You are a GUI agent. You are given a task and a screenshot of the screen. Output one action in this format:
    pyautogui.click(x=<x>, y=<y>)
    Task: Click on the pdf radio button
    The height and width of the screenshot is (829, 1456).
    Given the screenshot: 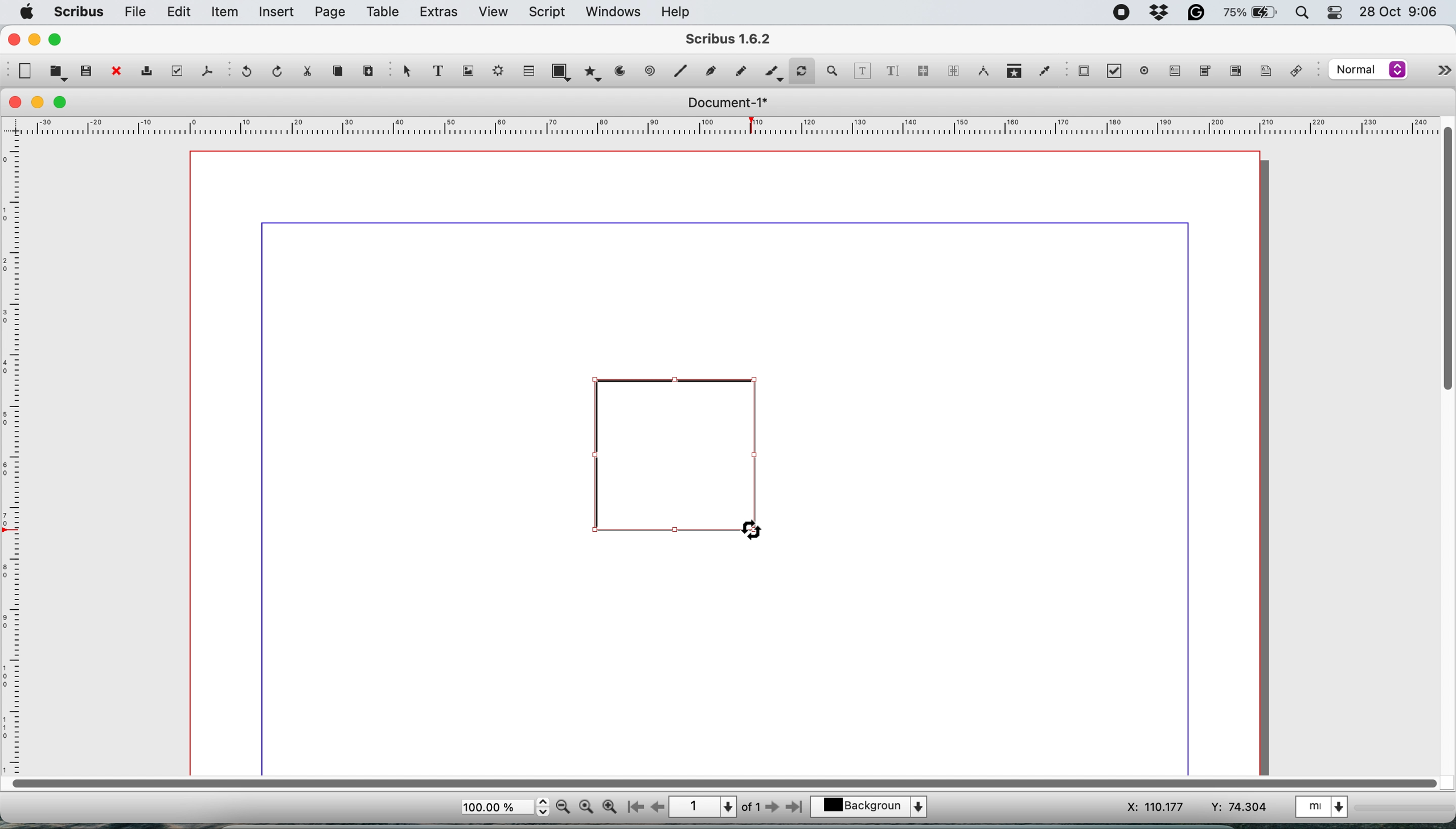 What is the action you would take?
    pyautogui.click(x=1142, y=71)
    